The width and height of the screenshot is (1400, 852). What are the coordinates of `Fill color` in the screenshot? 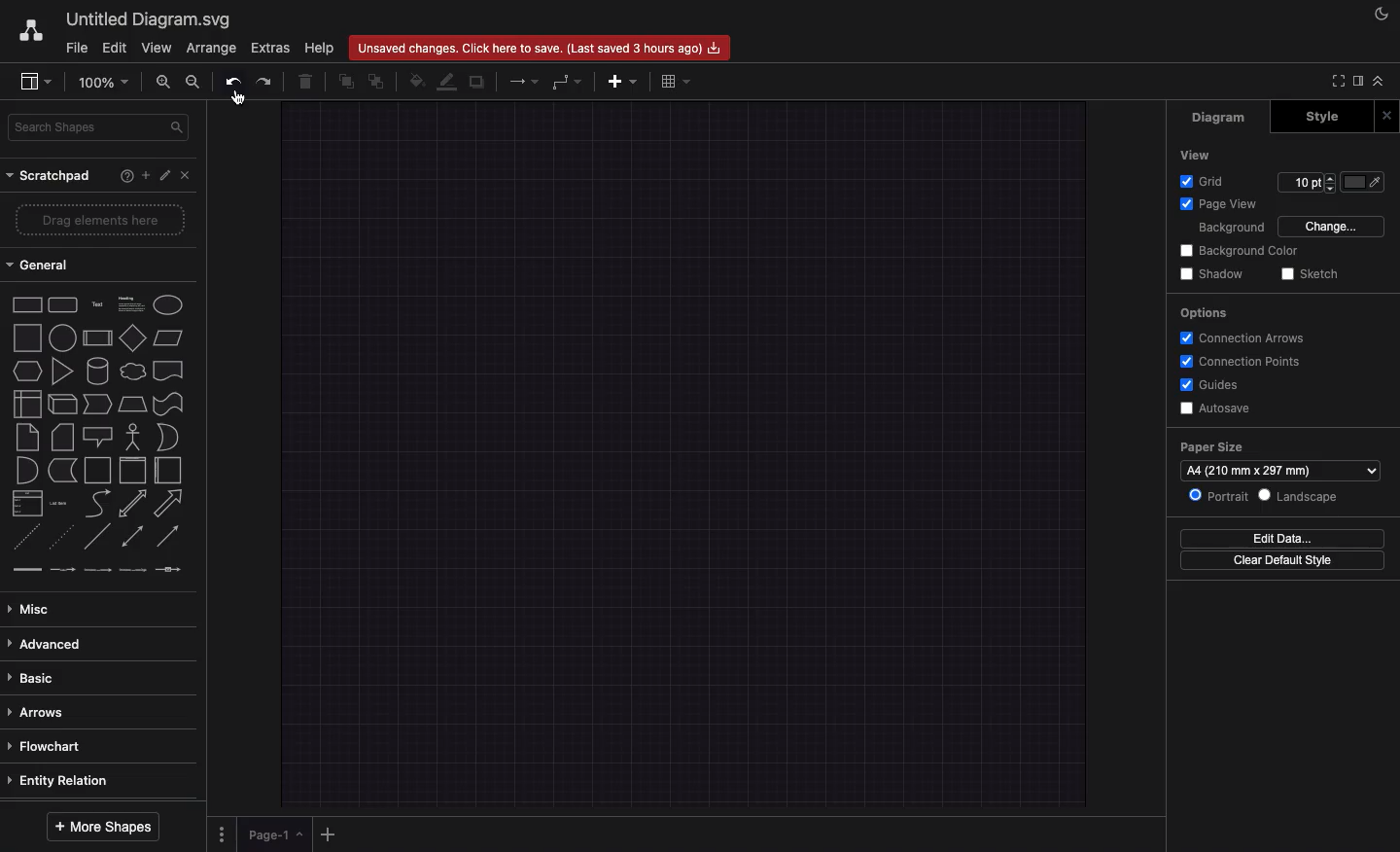 It's located at (1364, 180).